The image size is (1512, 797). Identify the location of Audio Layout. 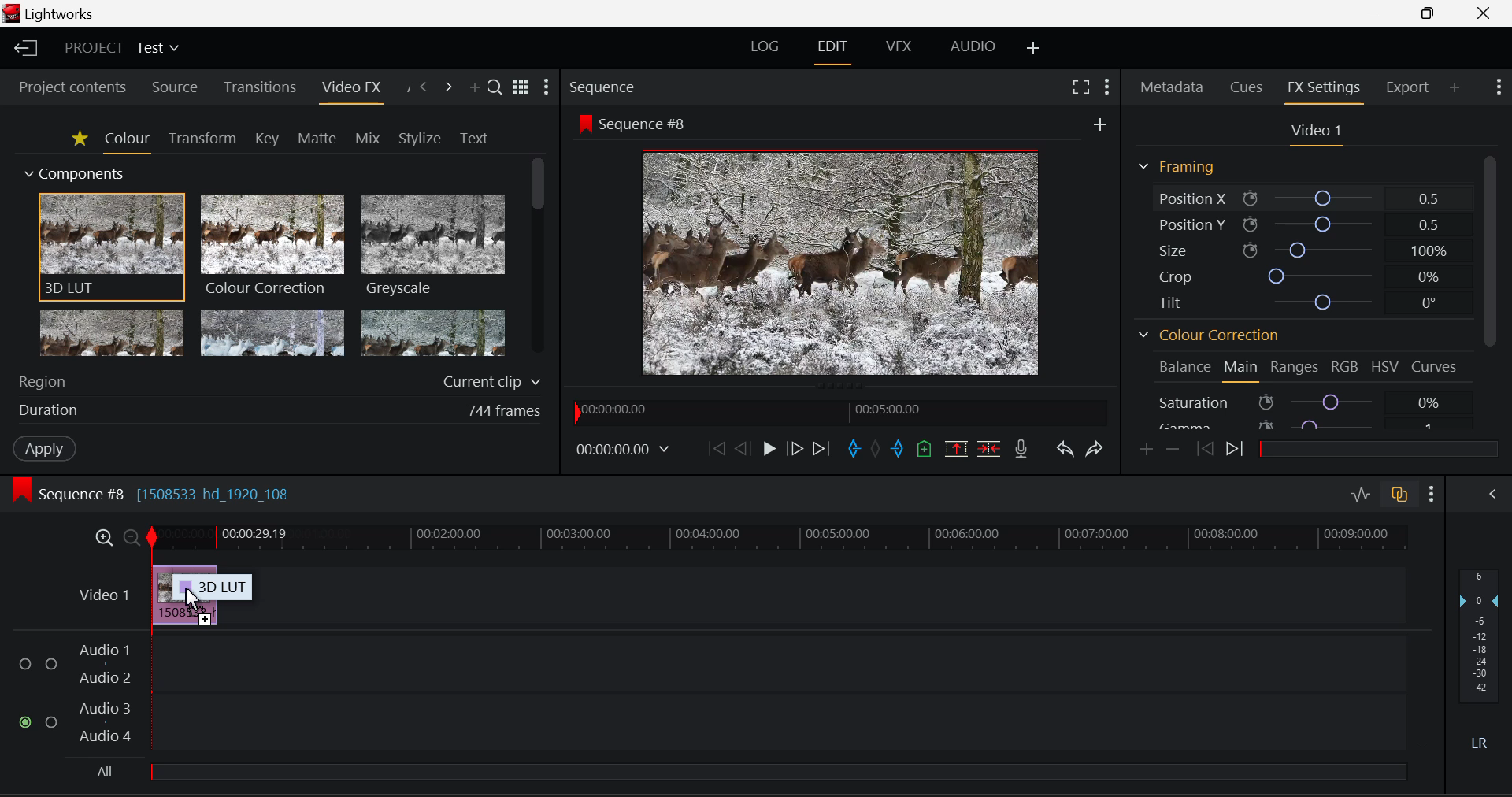
(970, 47).